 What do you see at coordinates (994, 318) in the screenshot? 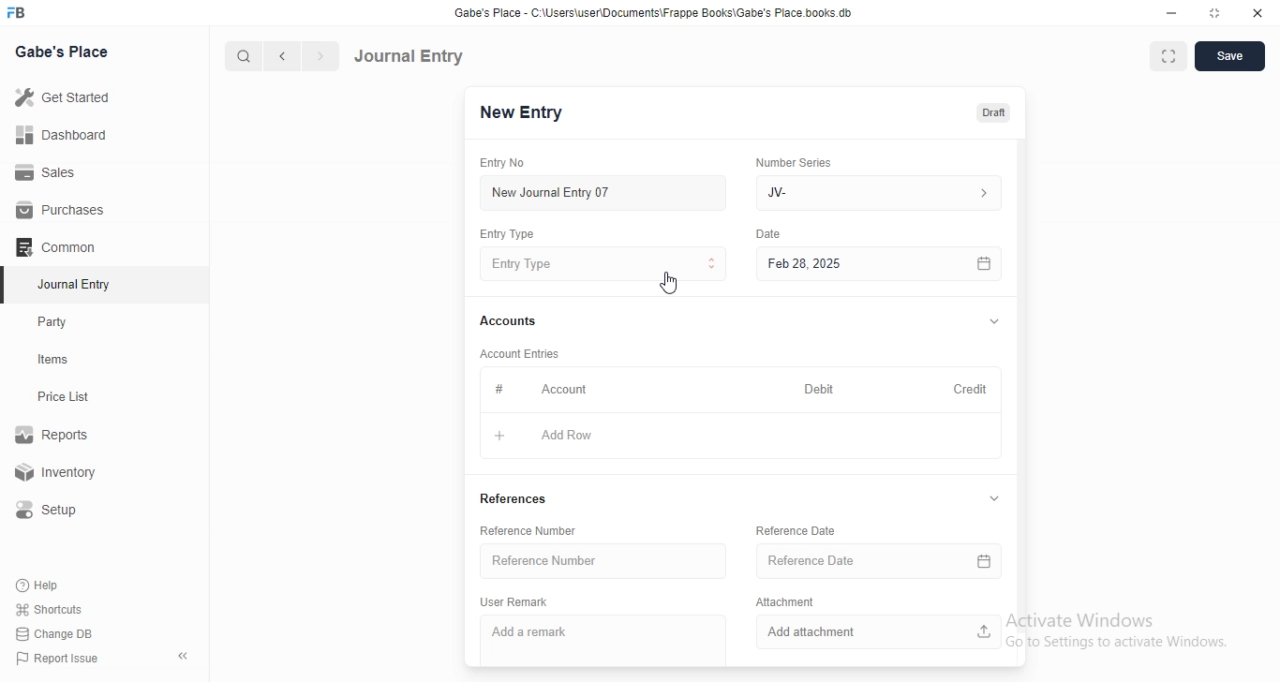
I see `v` at bounding box center [994, 318].